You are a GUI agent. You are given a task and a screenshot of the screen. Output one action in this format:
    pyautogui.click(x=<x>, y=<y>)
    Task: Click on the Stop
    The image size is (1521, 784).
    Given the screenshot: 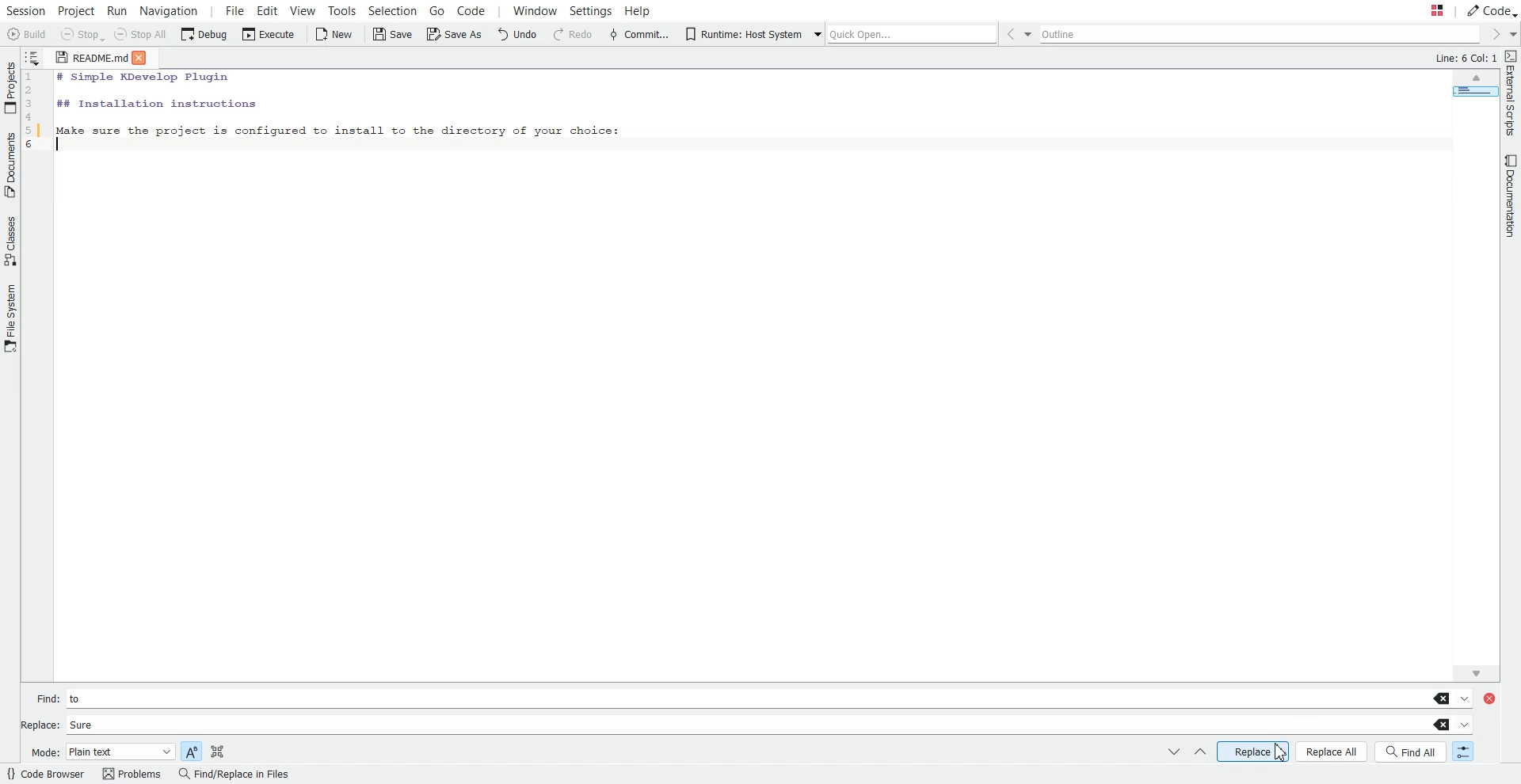 What is the action you would take?
    pyautogui.click(x=82, y=36)
    